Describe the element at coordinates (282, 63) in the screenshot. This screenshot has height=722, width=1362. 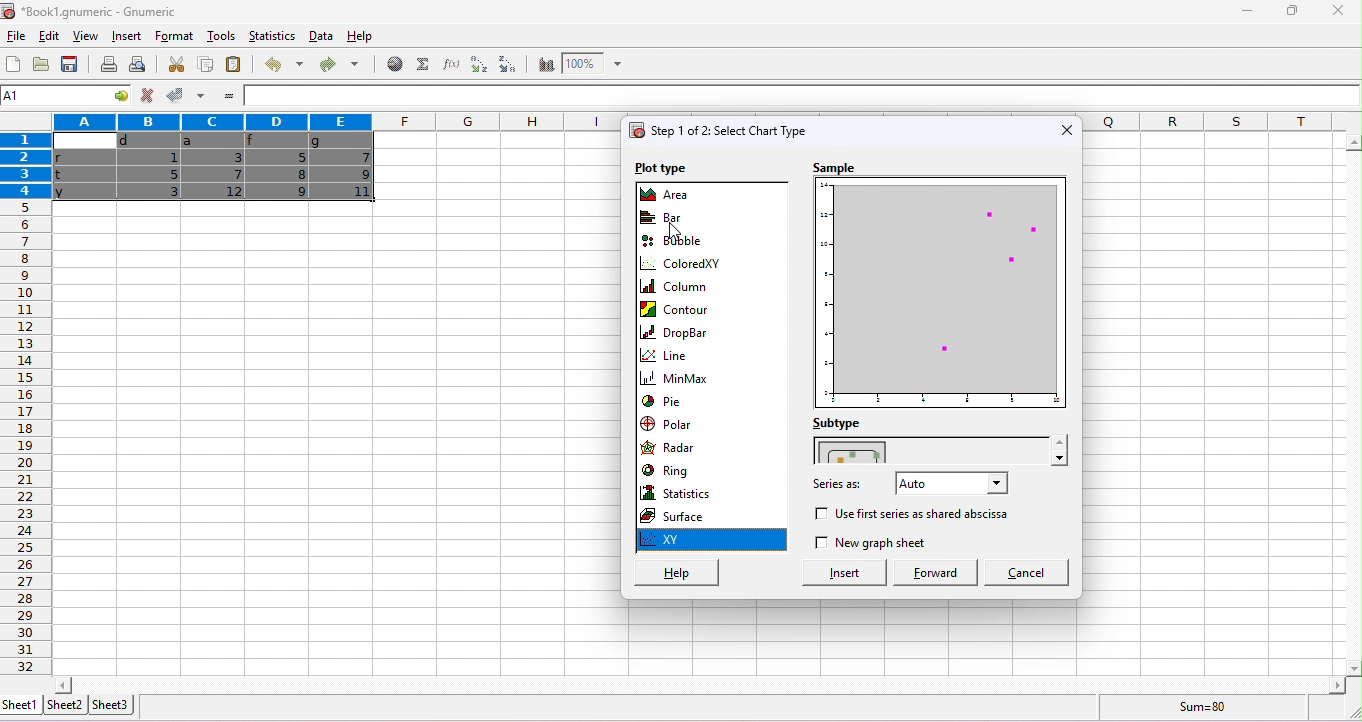
I see `undo` at that location.